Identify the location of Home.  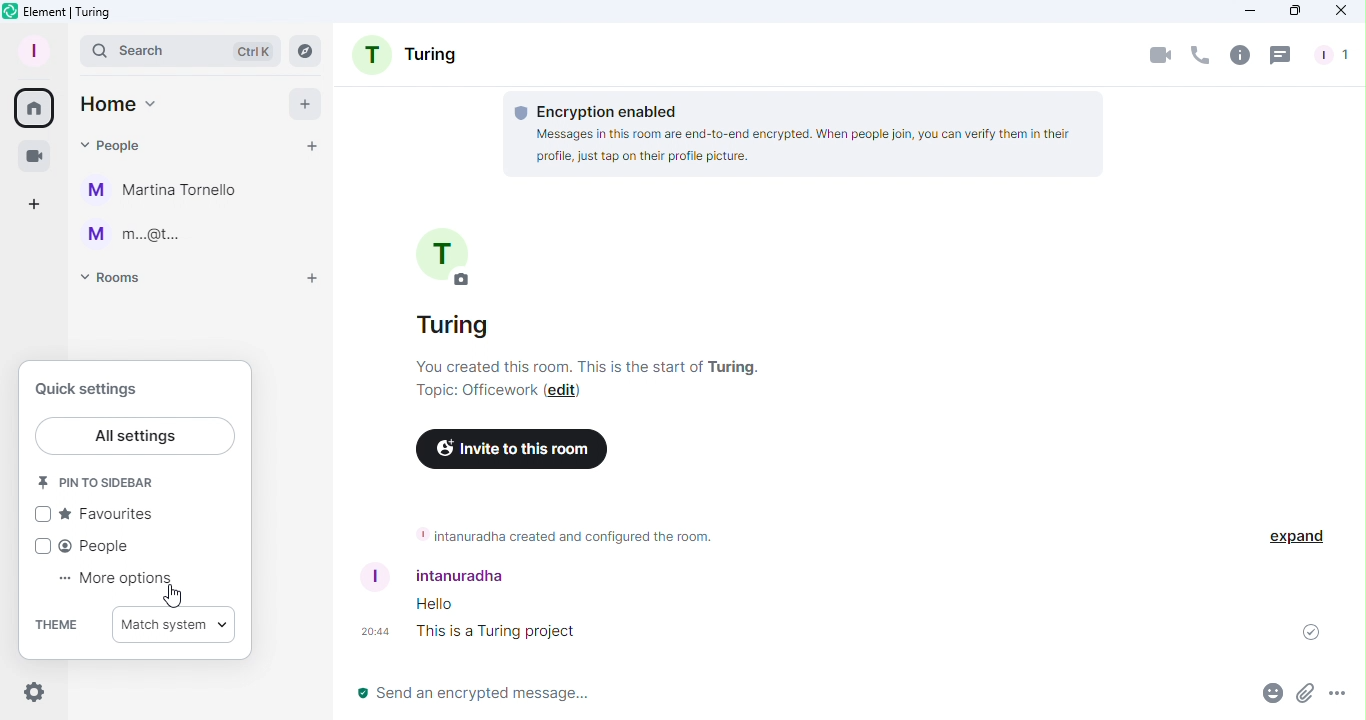
(37, 108).